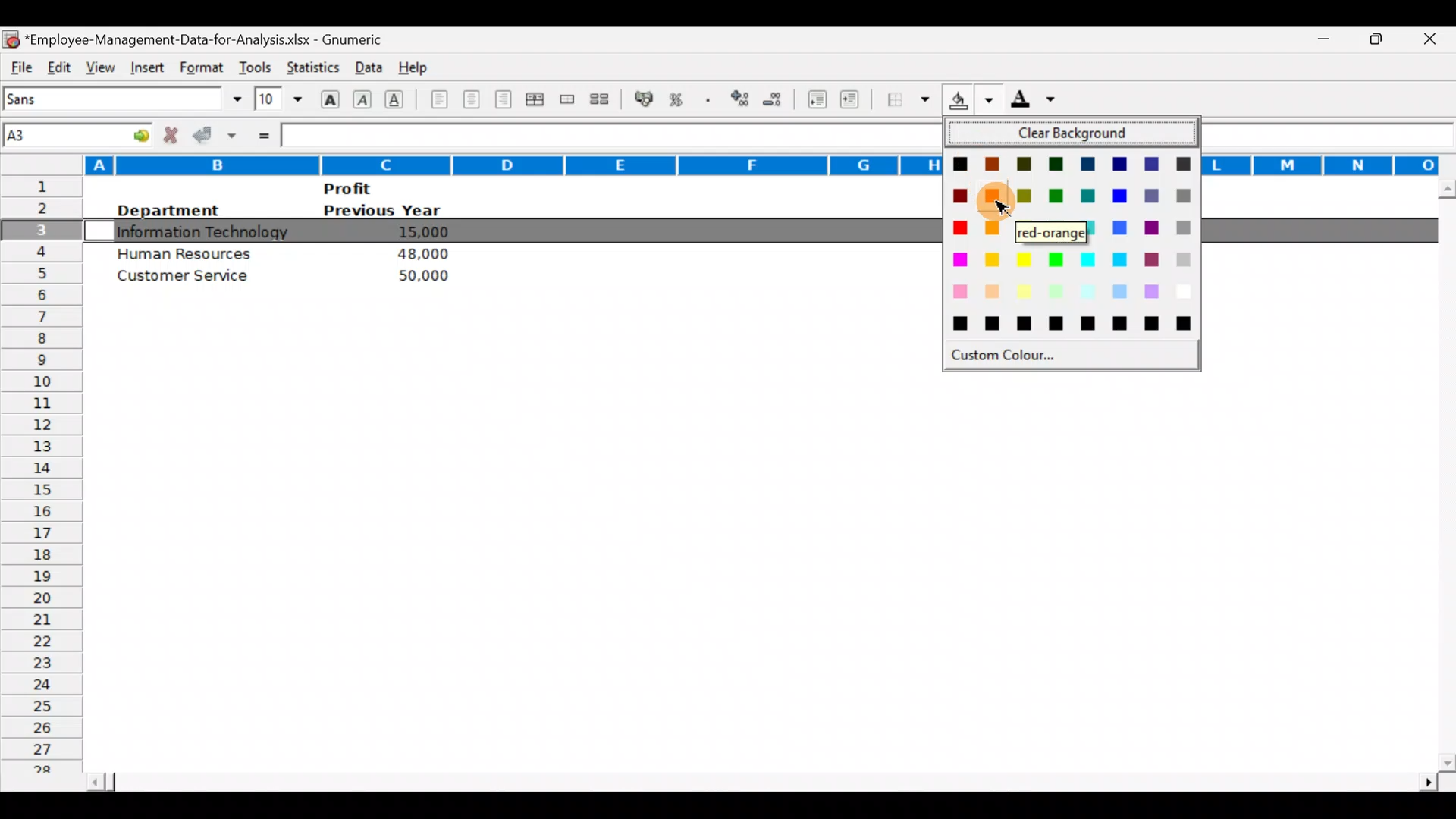 The width and height of the screenshot is (1456, 819). What do you see at coordinates (58, 65) in the screenshot?
I see `Edit` at bounding box center [58, 65].